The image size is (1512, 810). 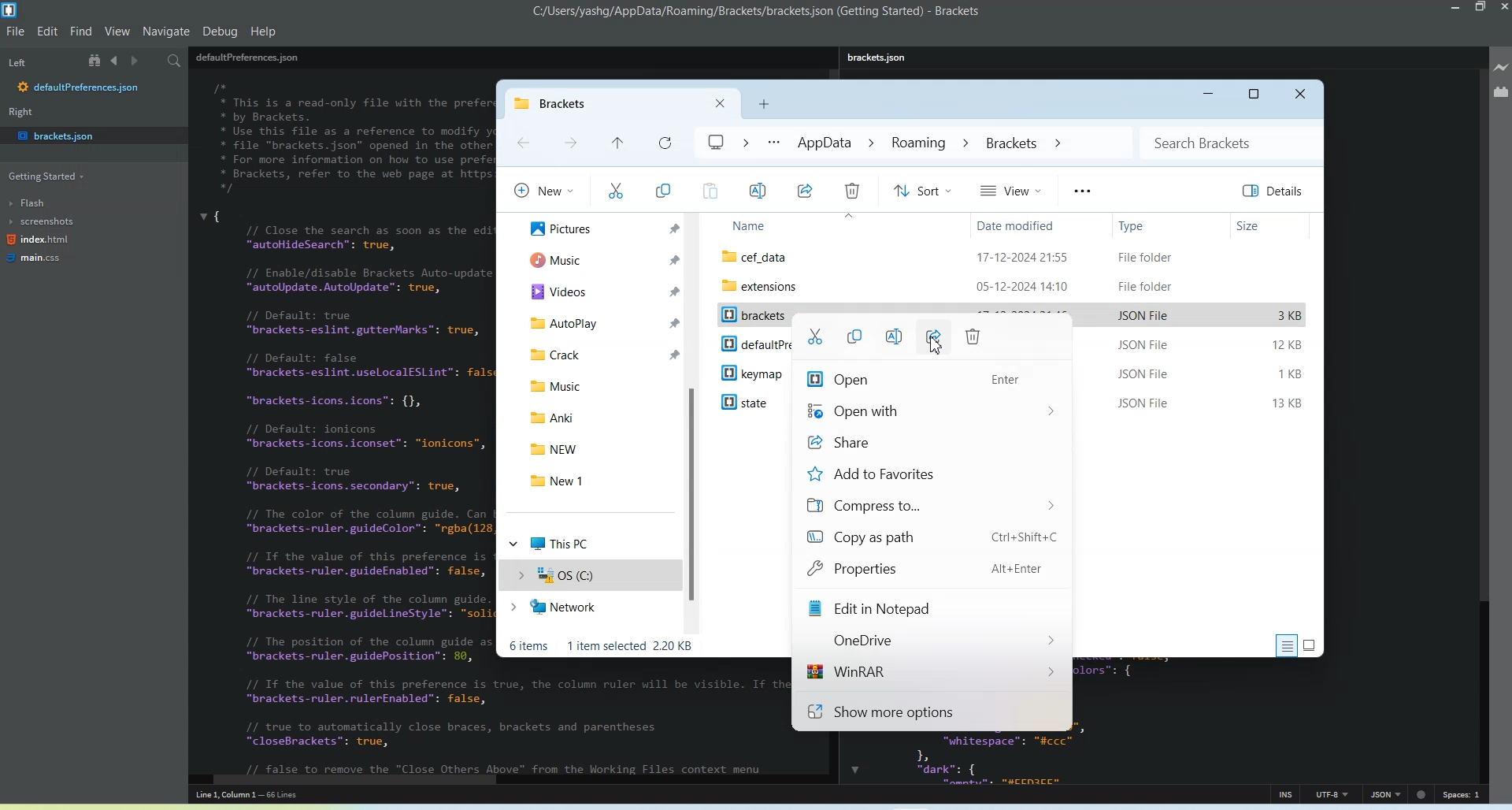 I want to click on defaultPreferences.json, so click(x=247, y=57).